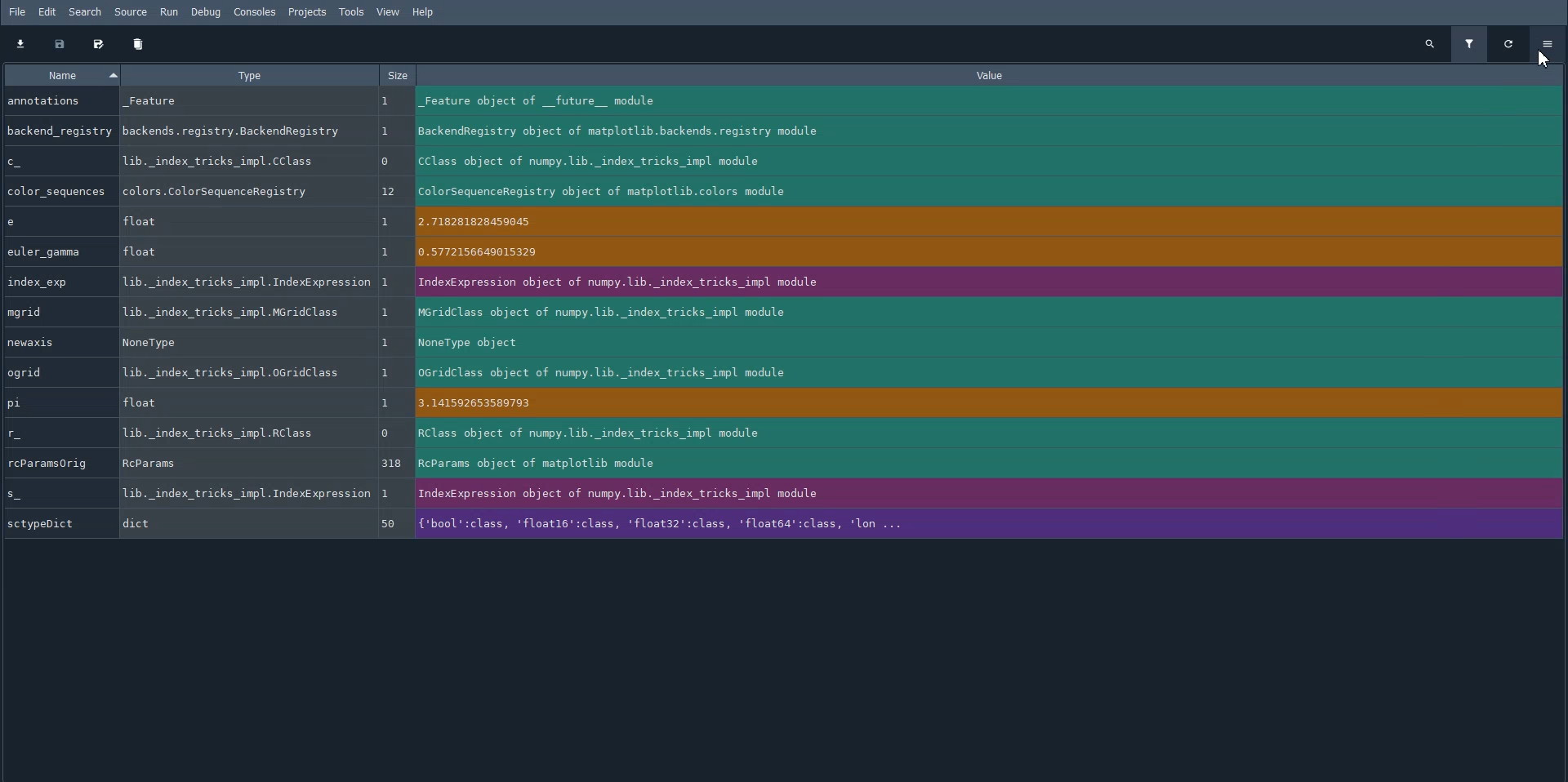 The height and width of the screenshot is (782, 1568). What do you see at coordinates (56, 190) in the screenshot?
I see `color_seuence` at bounding box center [56, 190].